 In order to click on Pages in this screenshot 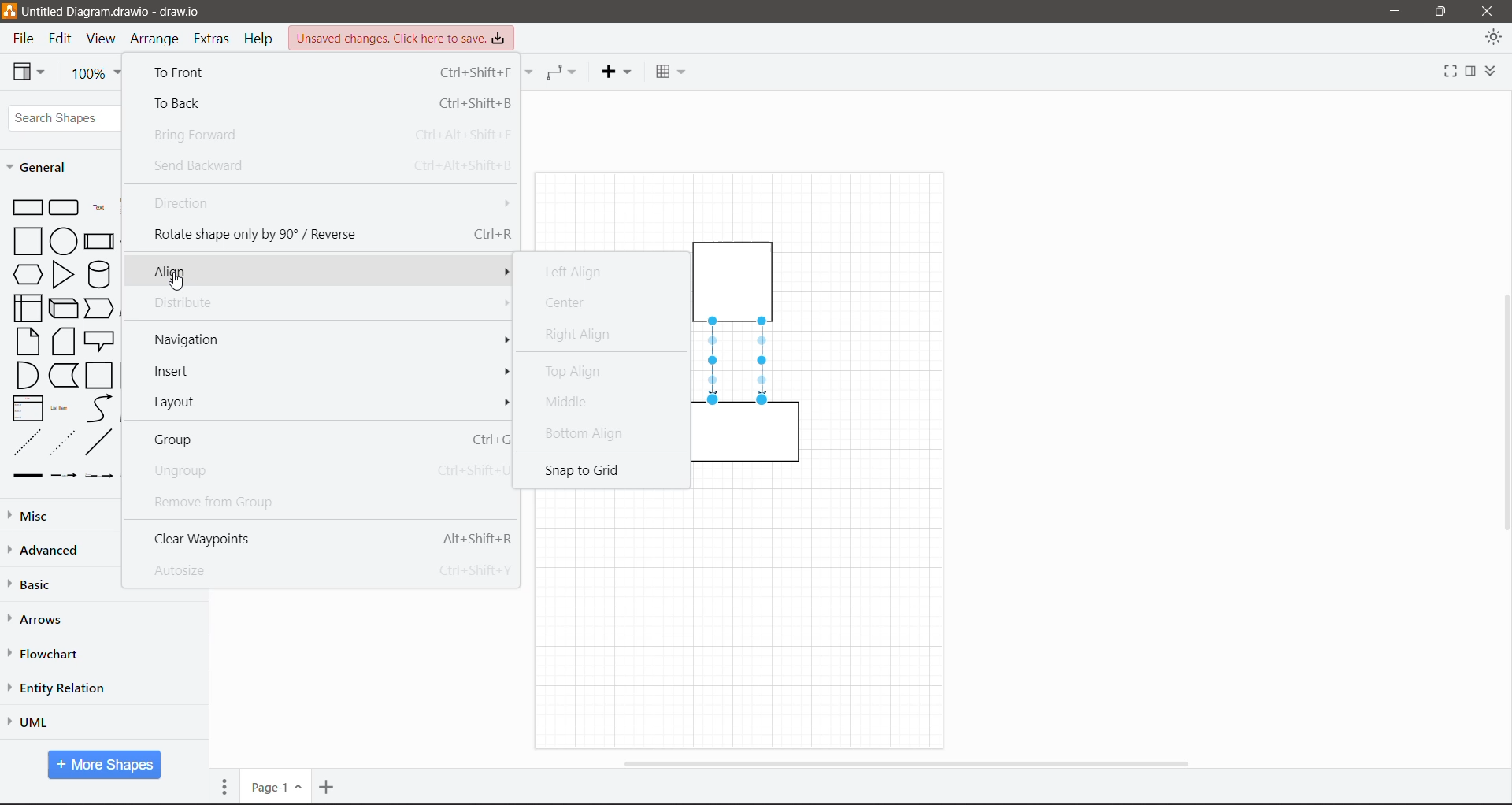, I will do `click(224, 786)`.